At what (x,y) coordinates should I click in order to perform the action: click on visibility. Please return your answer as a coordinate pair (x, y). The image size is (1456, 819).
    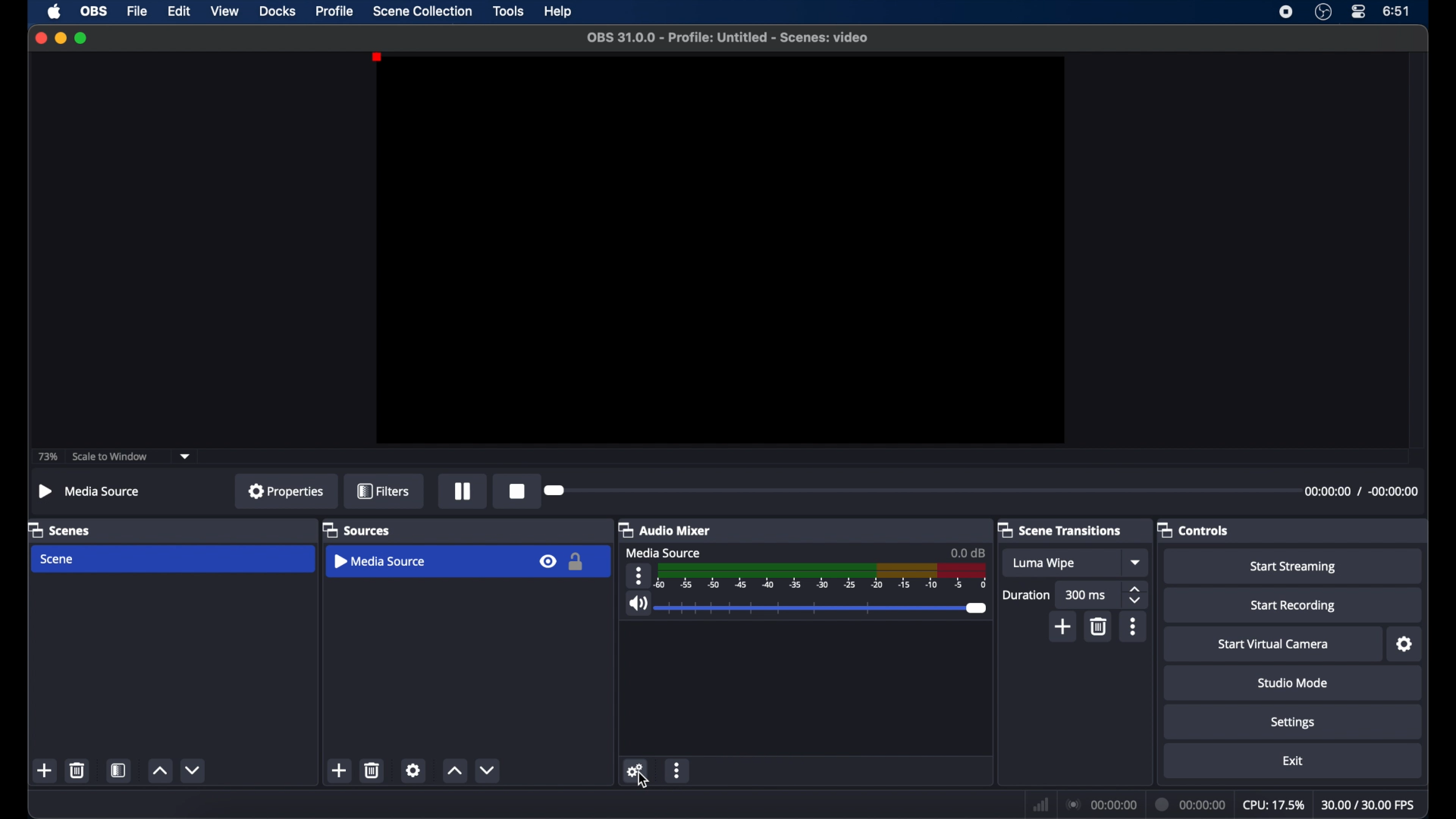
    Looking at the image, I should click on (547, 560).